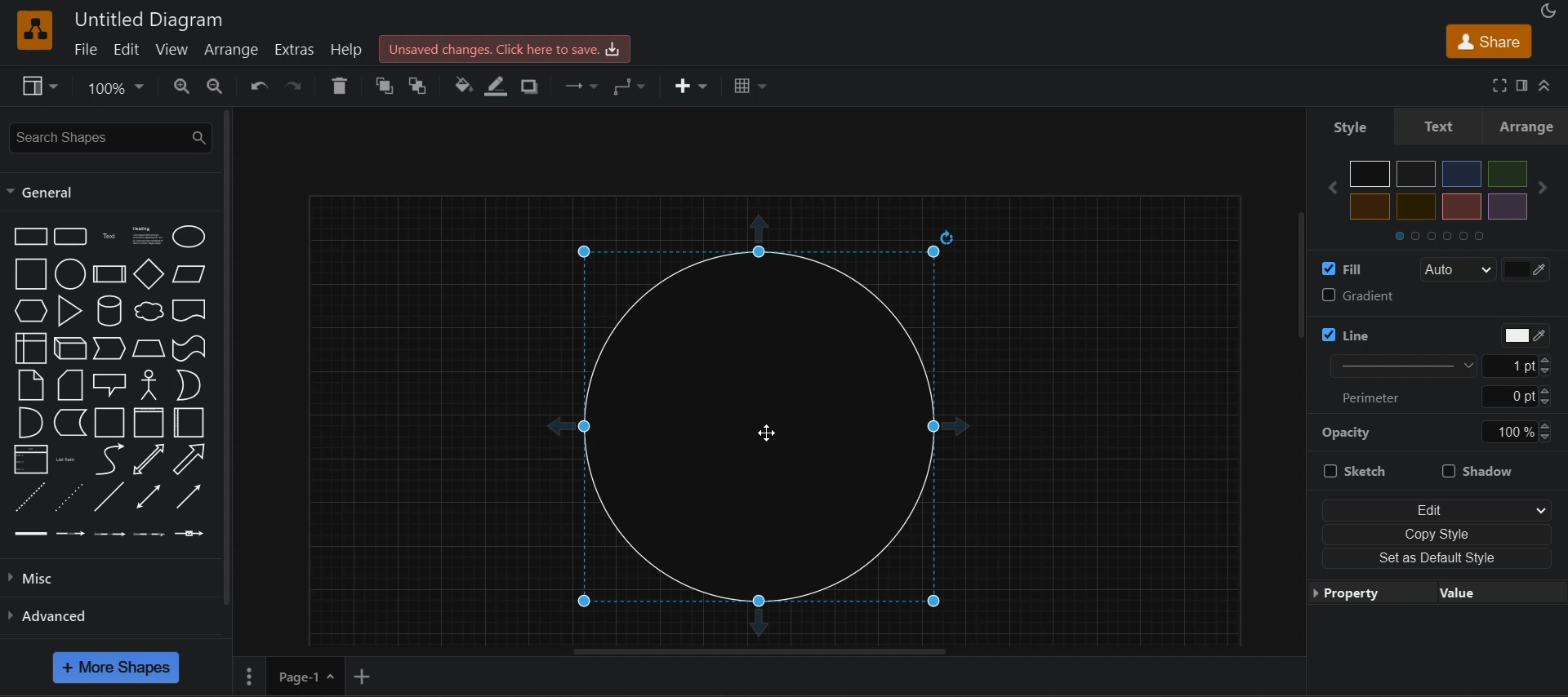 The image size is (1568, 697). I want to click on More options, so click(249, 675).